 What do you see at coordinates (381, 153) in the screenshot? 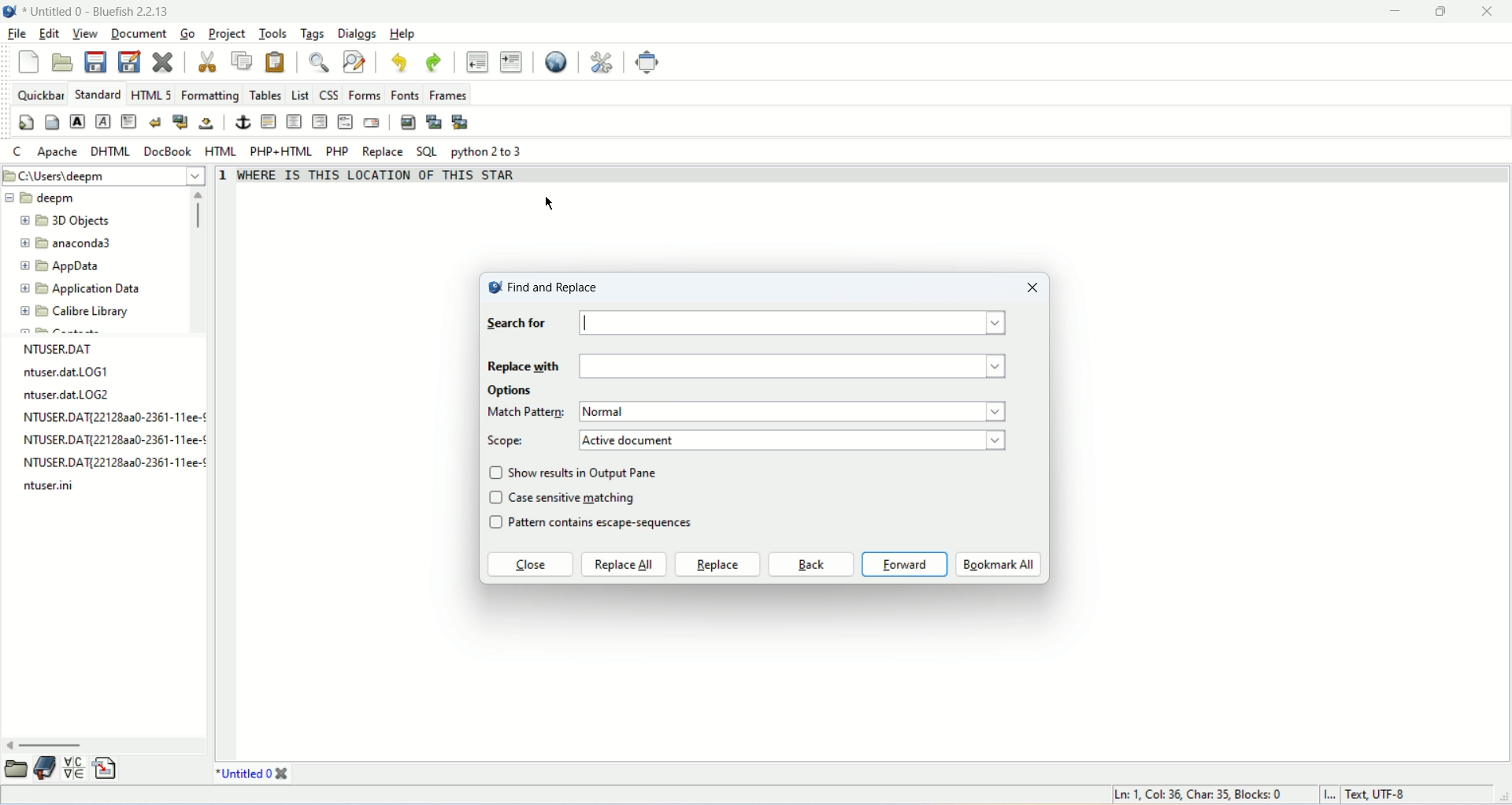
I see `replace` at bounding box center [381, 153].